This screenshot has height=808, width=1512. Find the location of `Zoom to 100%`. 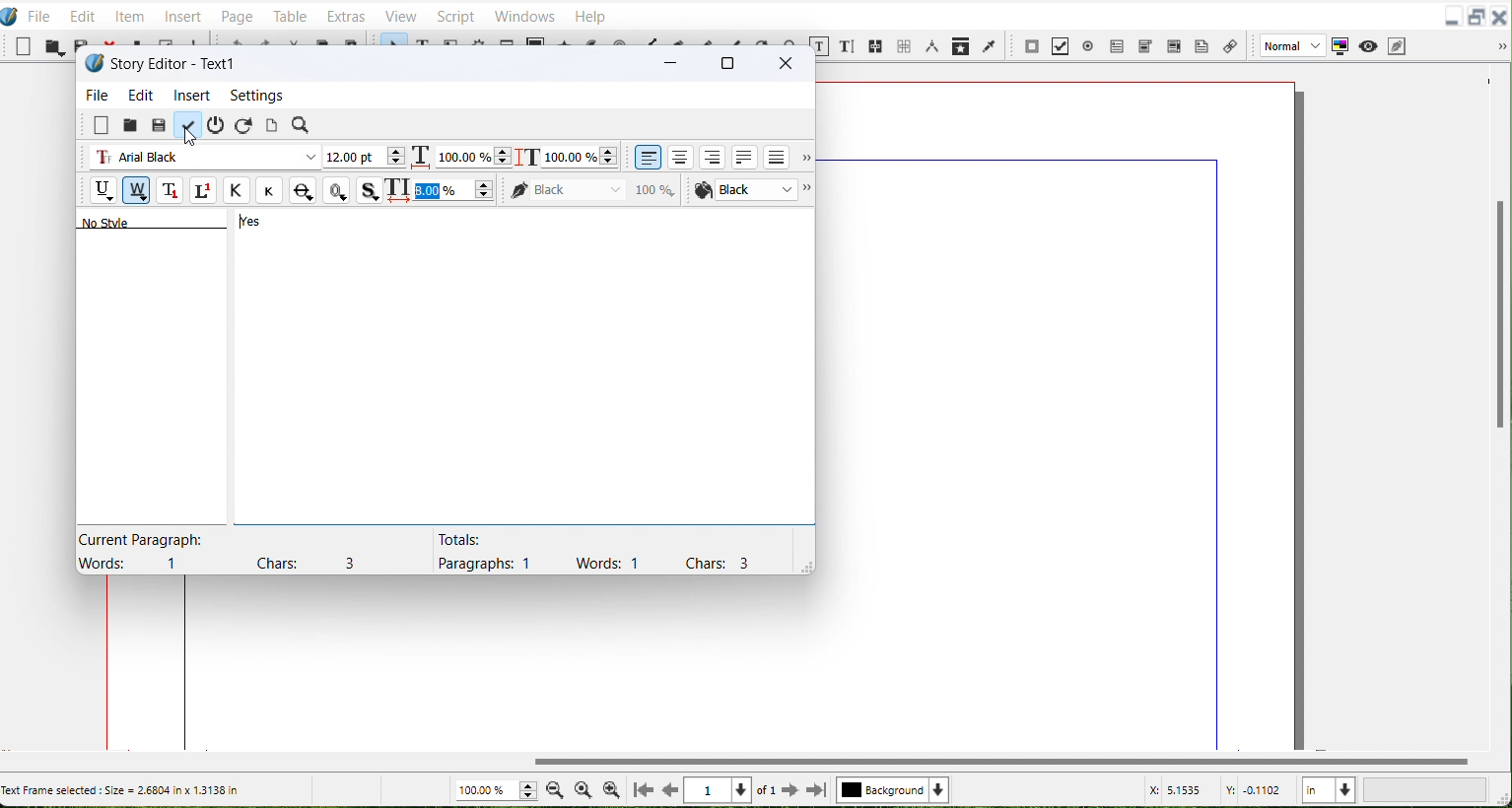

Zoom to 100% is located at coordinates (583, 788).